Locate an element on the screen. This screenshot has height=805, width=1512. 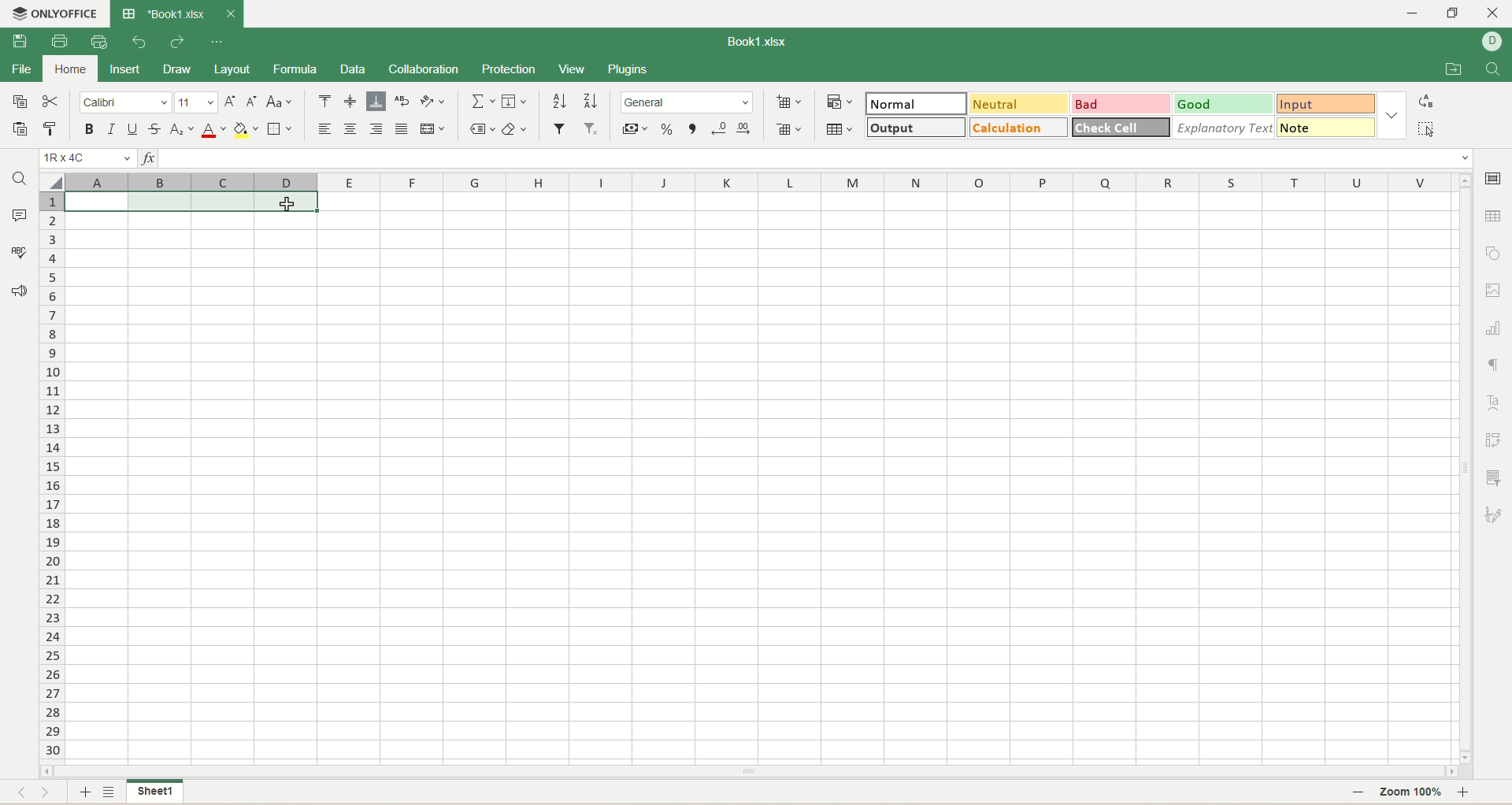
border is located at coordinates (278, 130).